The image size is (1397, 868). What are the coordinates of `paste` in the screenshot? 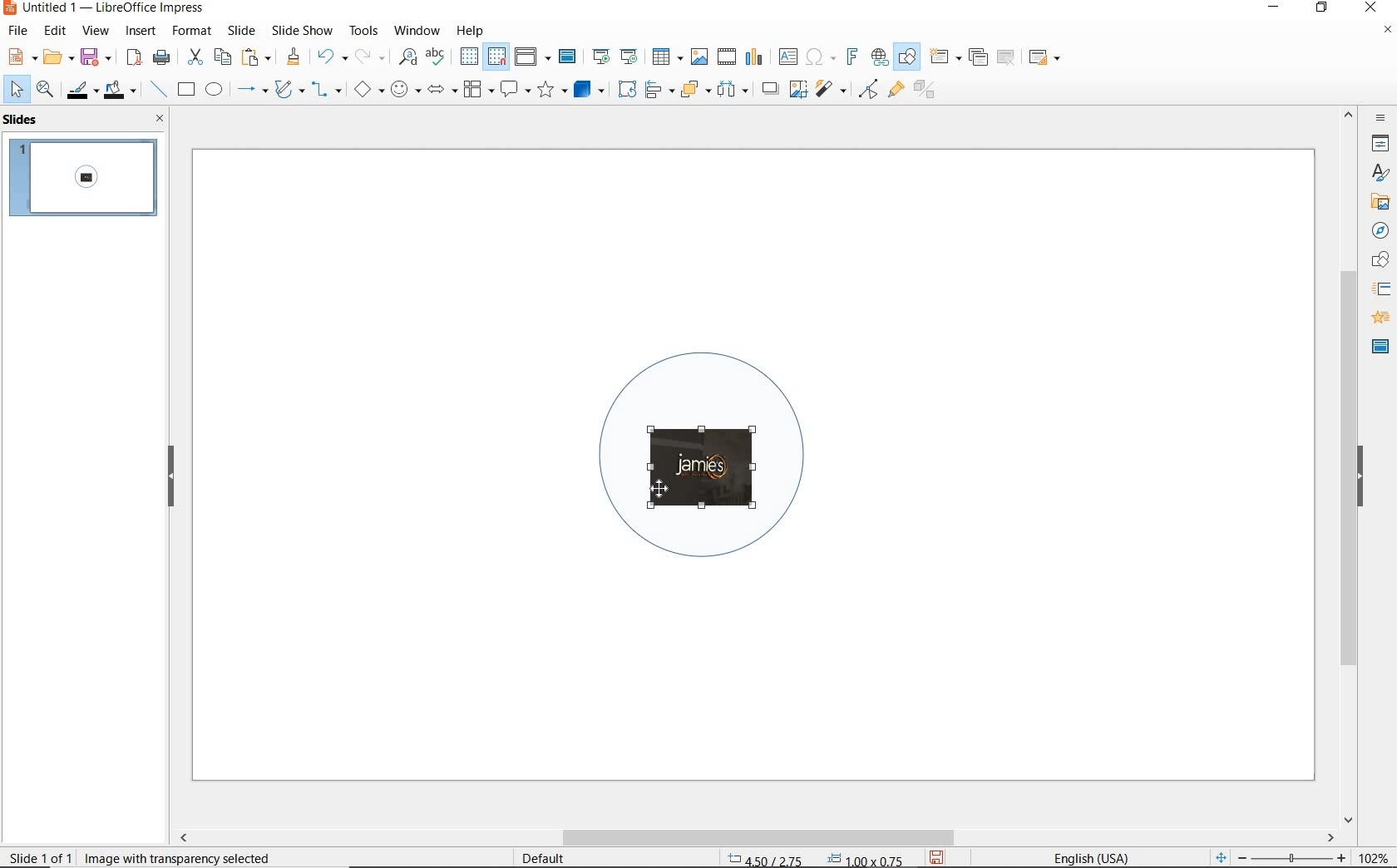 It's located at (257, 57).